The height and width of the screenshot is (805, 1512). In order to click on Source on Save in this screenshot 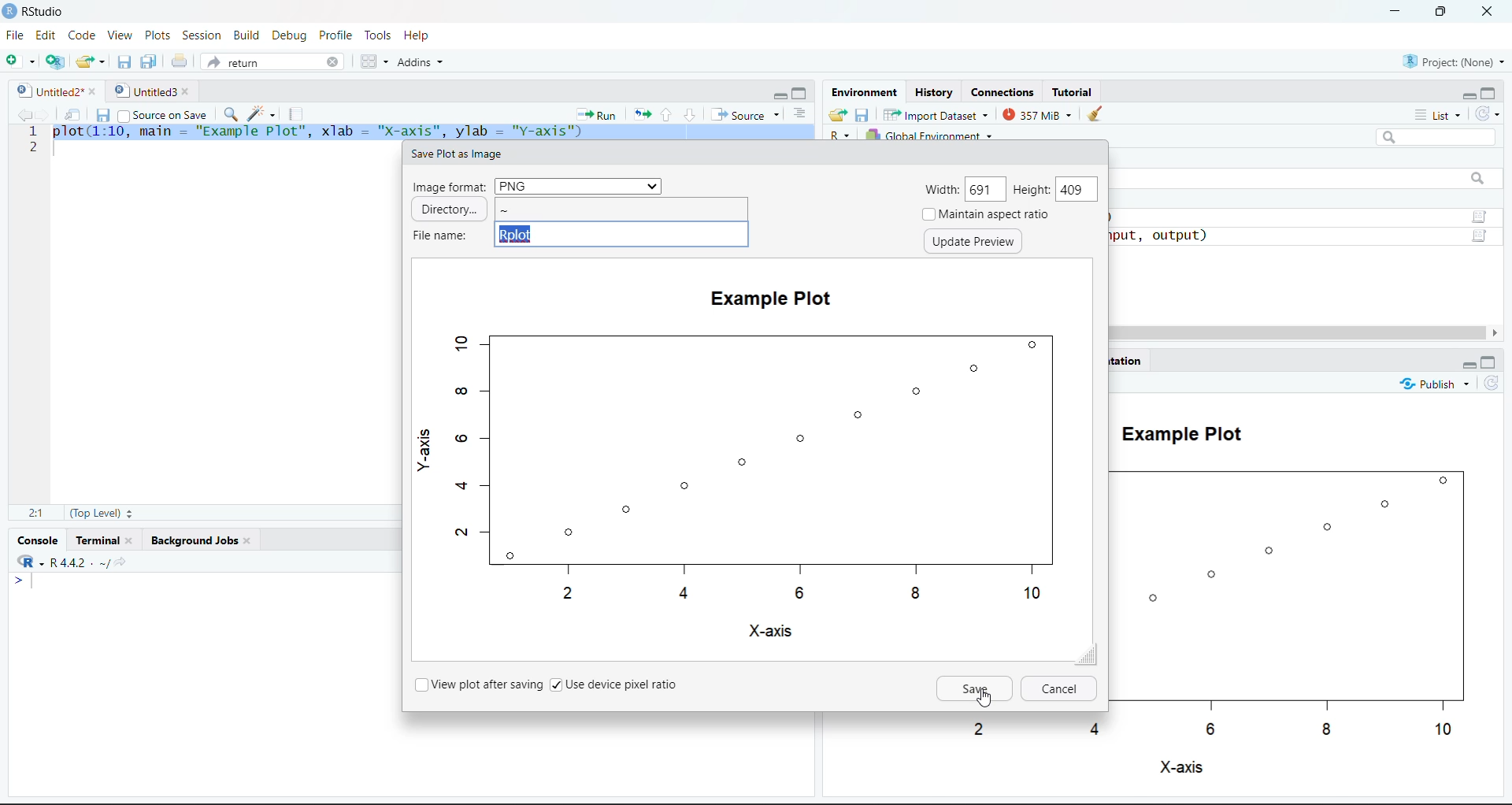, I will do `click(163, 113)`.